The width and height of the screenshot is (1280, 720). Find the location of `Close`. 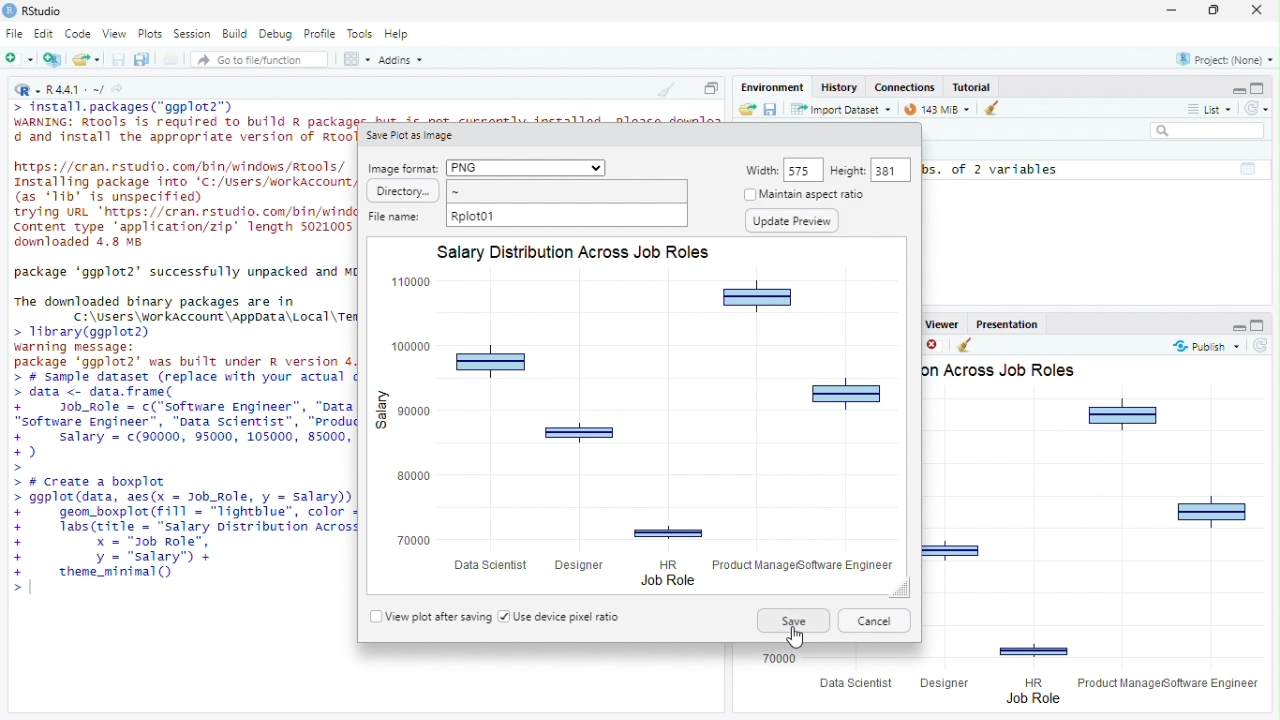

Close is located at coordinates (1260, 10).